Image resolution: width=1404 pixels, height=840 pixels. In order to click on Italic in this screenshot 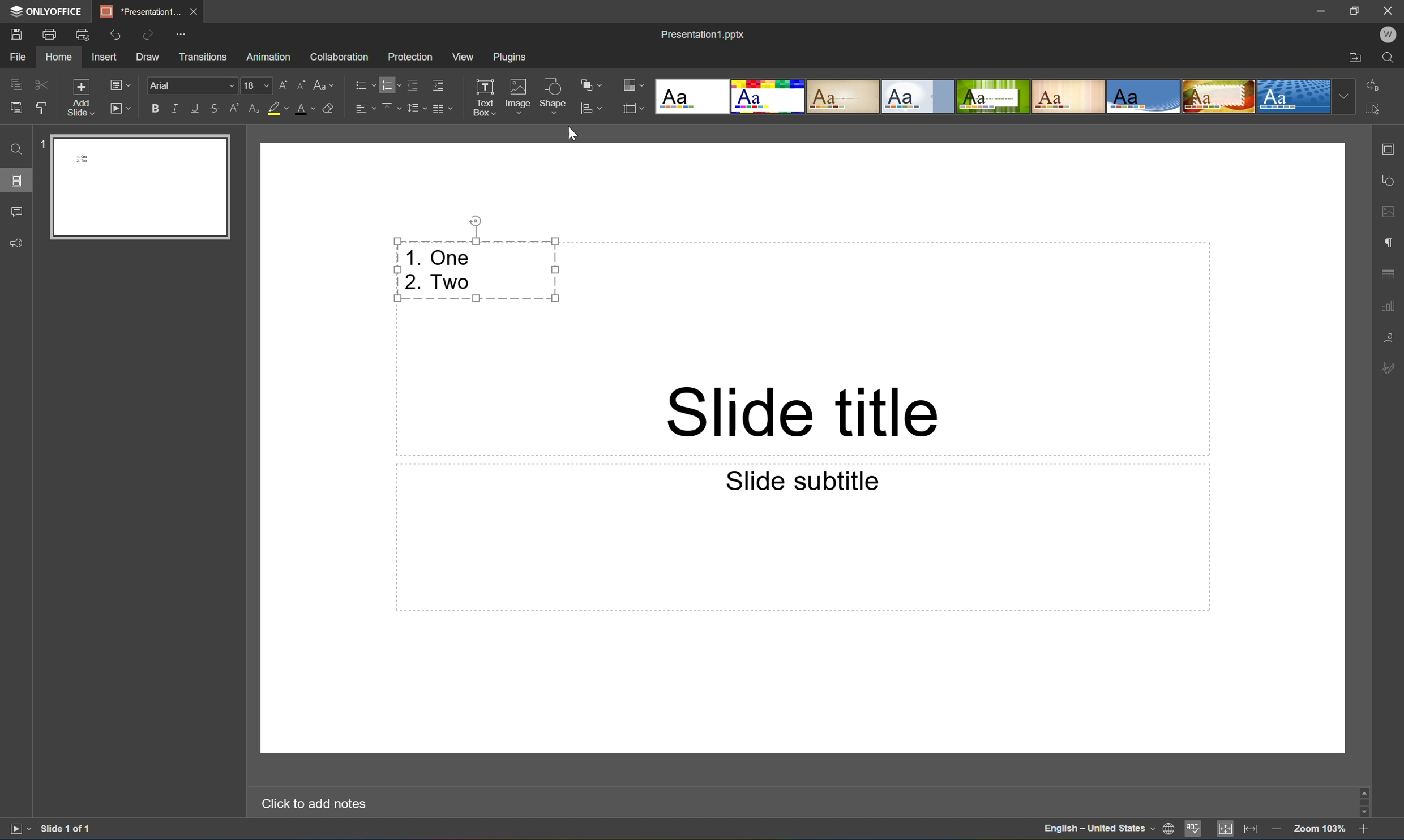, I will do `click(179, 108)`.